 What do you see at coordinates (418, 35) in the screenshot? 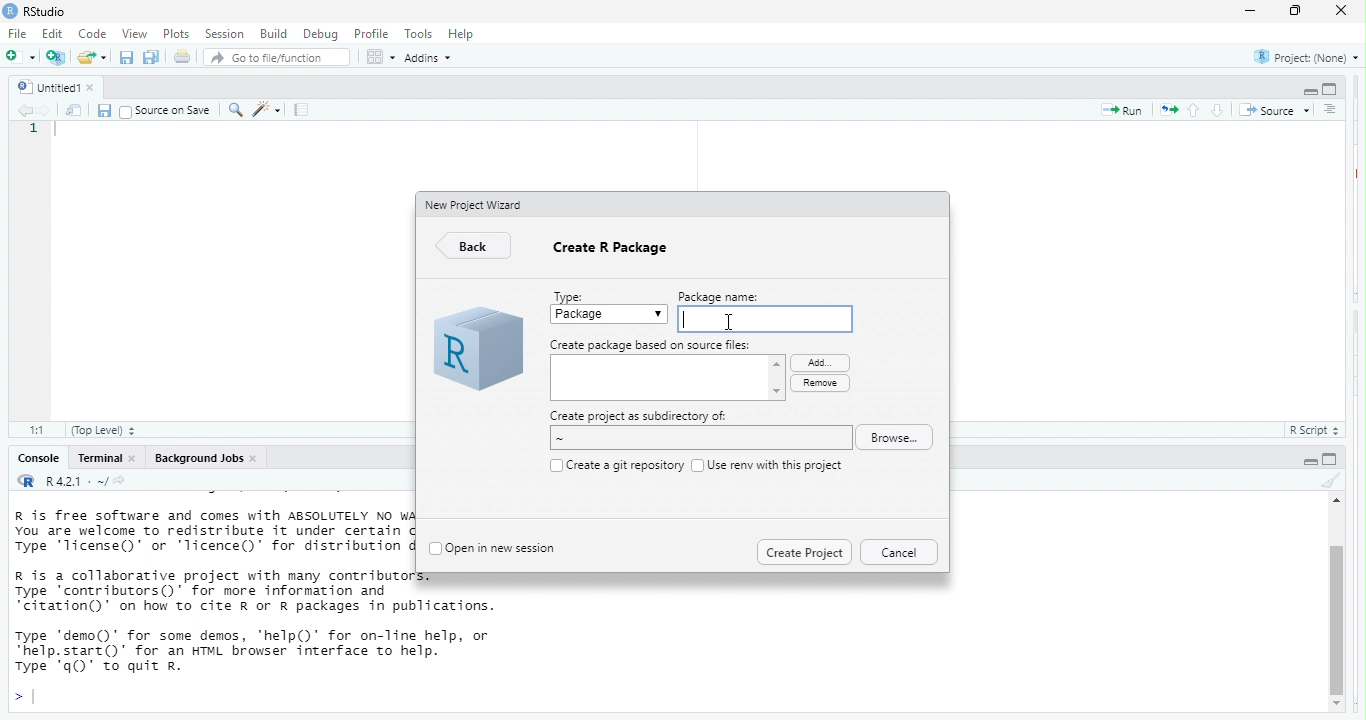
I see `Tools` at bounding box center [418, 35].